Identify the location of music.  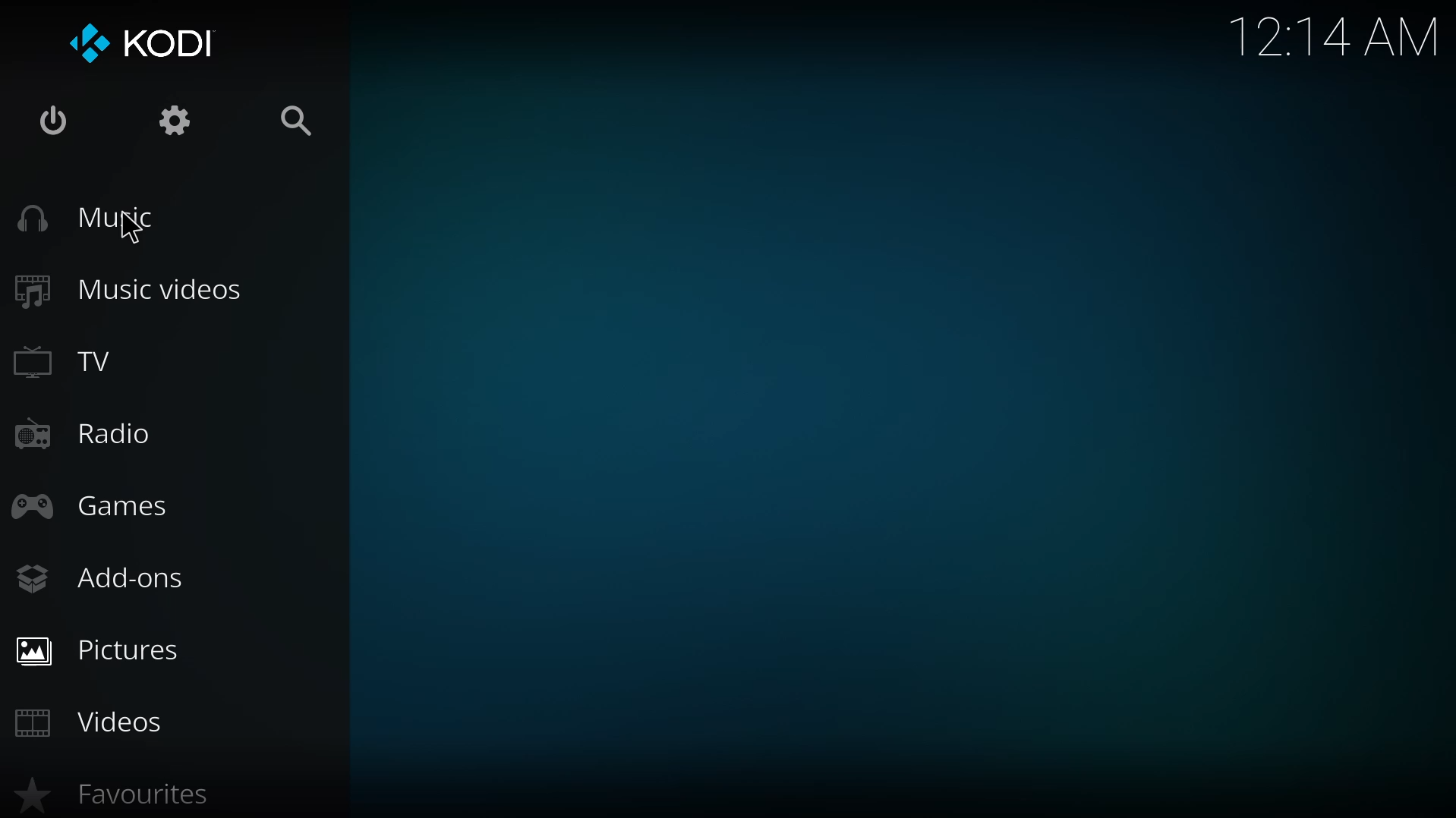
(92, 218).